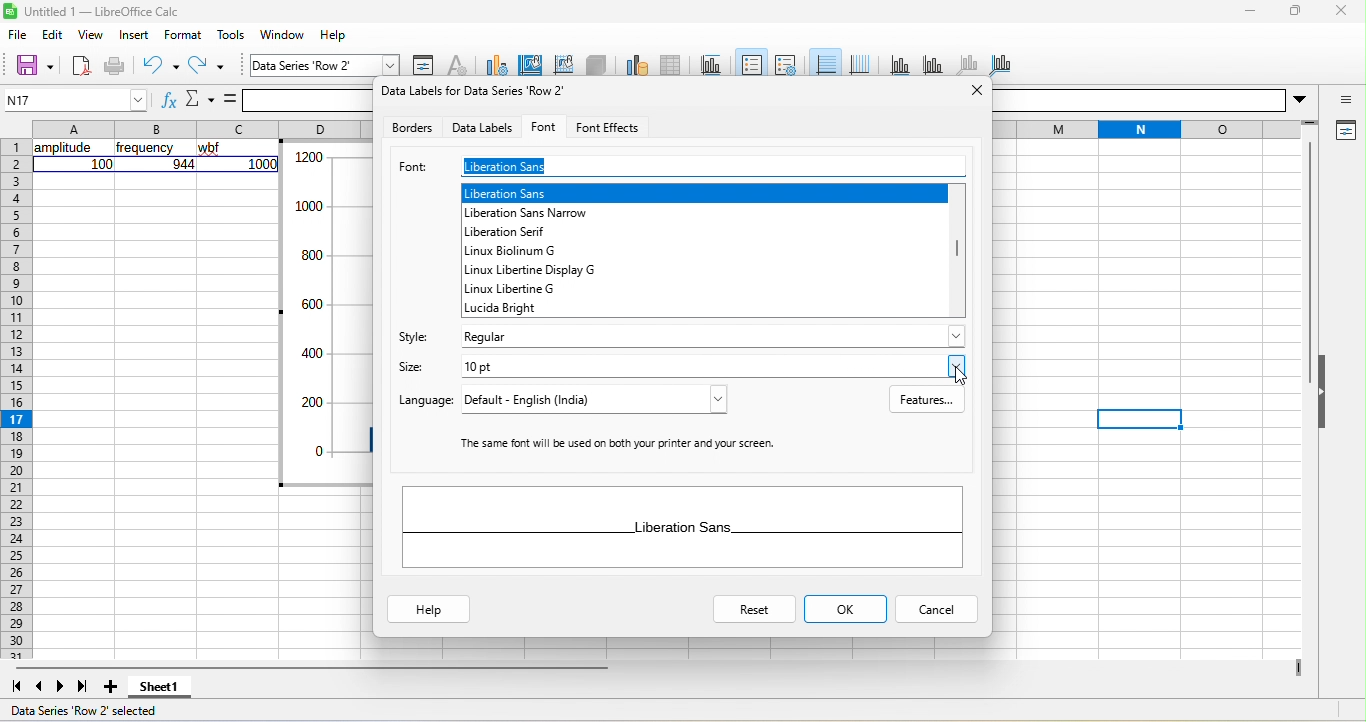 This screenshot has height=722, width=1366. What do you see at coordinates (480, 127) in the screenshot?
I see `data labels` at bounding box center [480, 127].